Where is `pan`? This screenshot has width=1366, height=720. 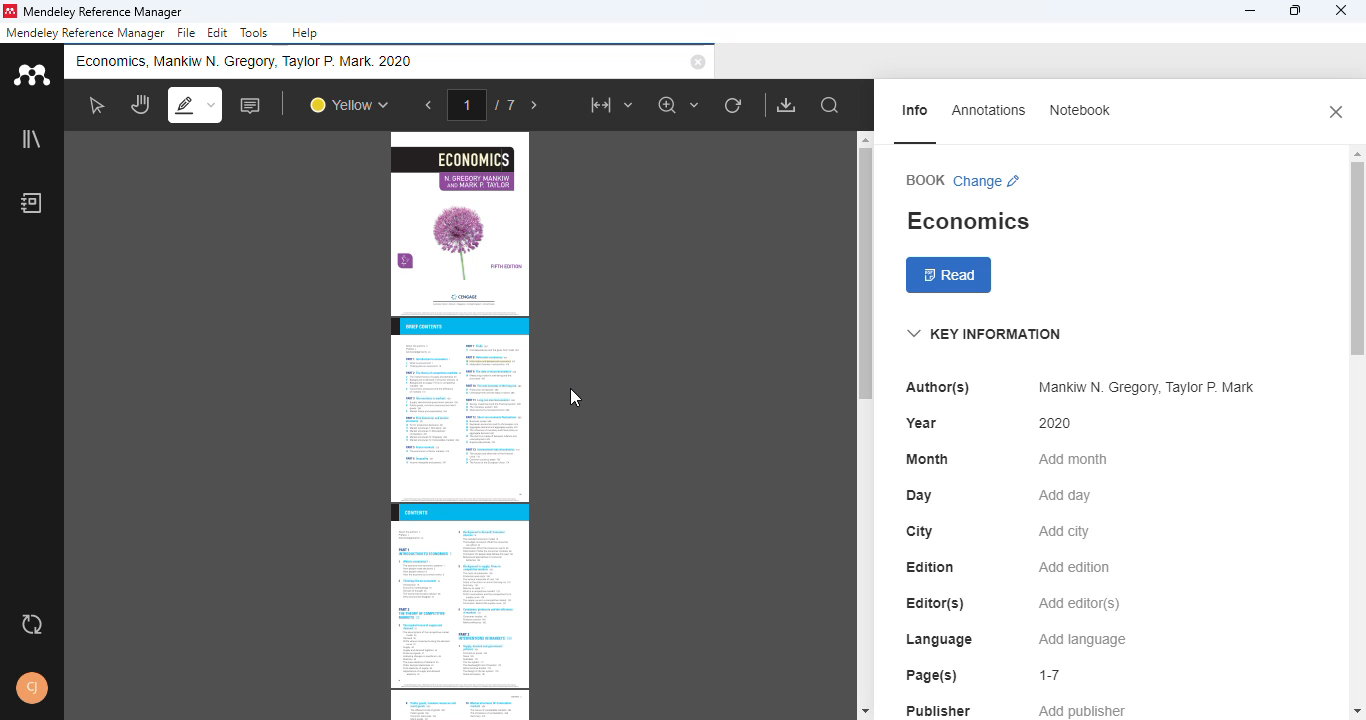 pan is located at coordinates (139, 105).